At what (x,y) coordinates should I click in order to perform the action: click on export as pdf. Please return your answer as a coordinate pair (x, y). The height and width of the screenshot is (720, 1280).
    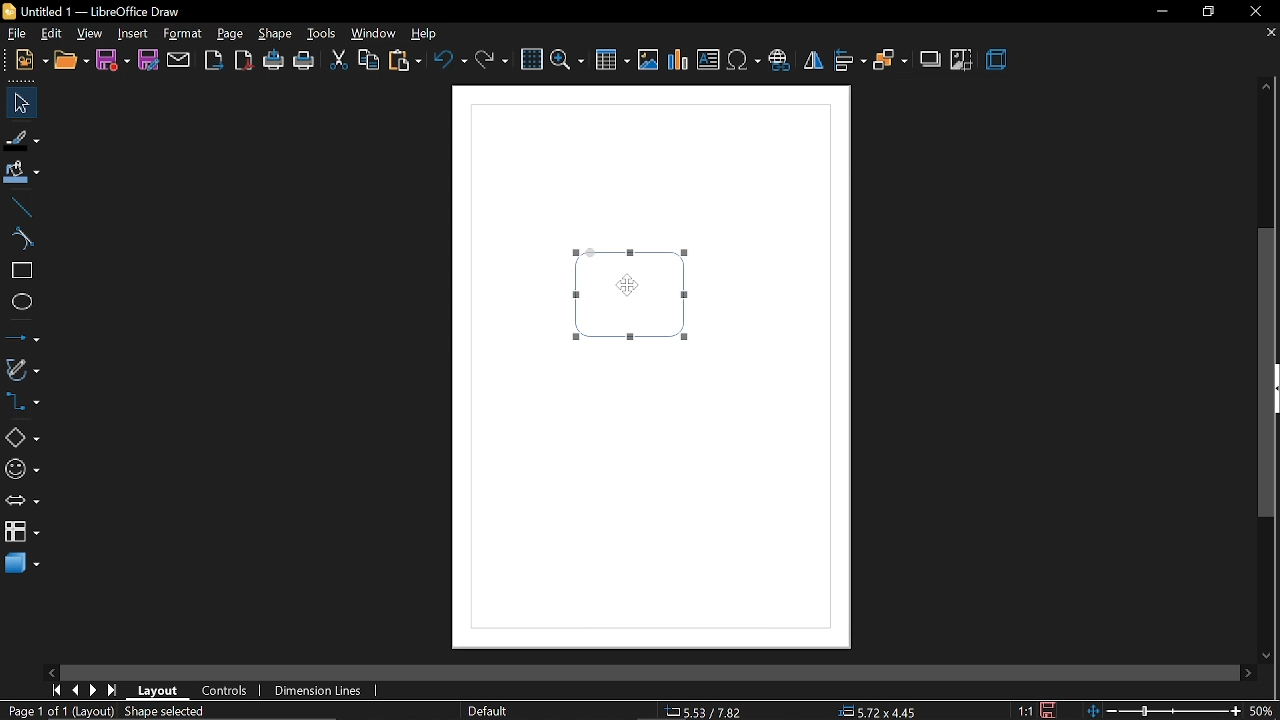
    Looking at the image, I should click on (245, 63).